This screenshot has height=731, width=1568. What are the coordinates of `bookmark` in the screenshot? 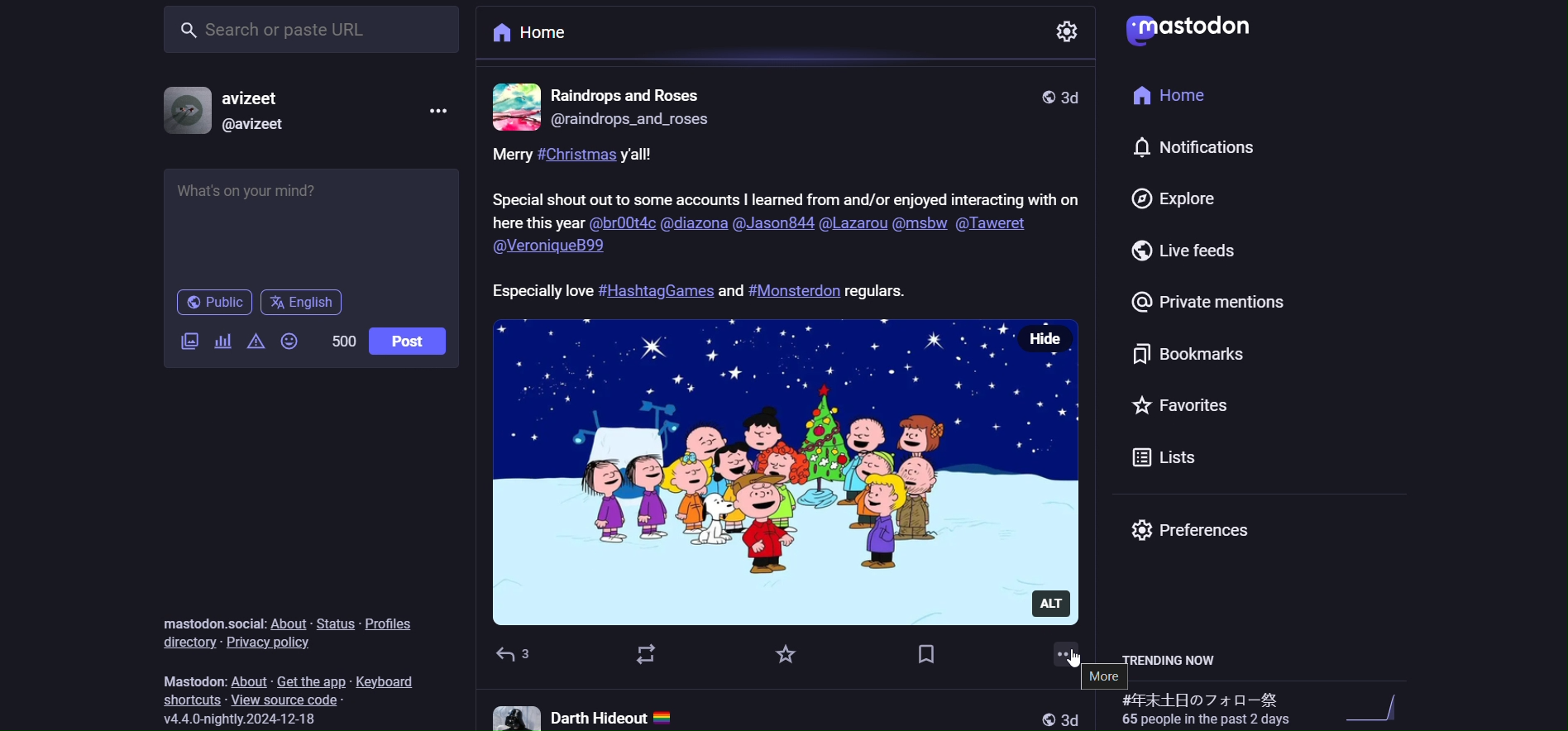 It's located at (1176, 355).